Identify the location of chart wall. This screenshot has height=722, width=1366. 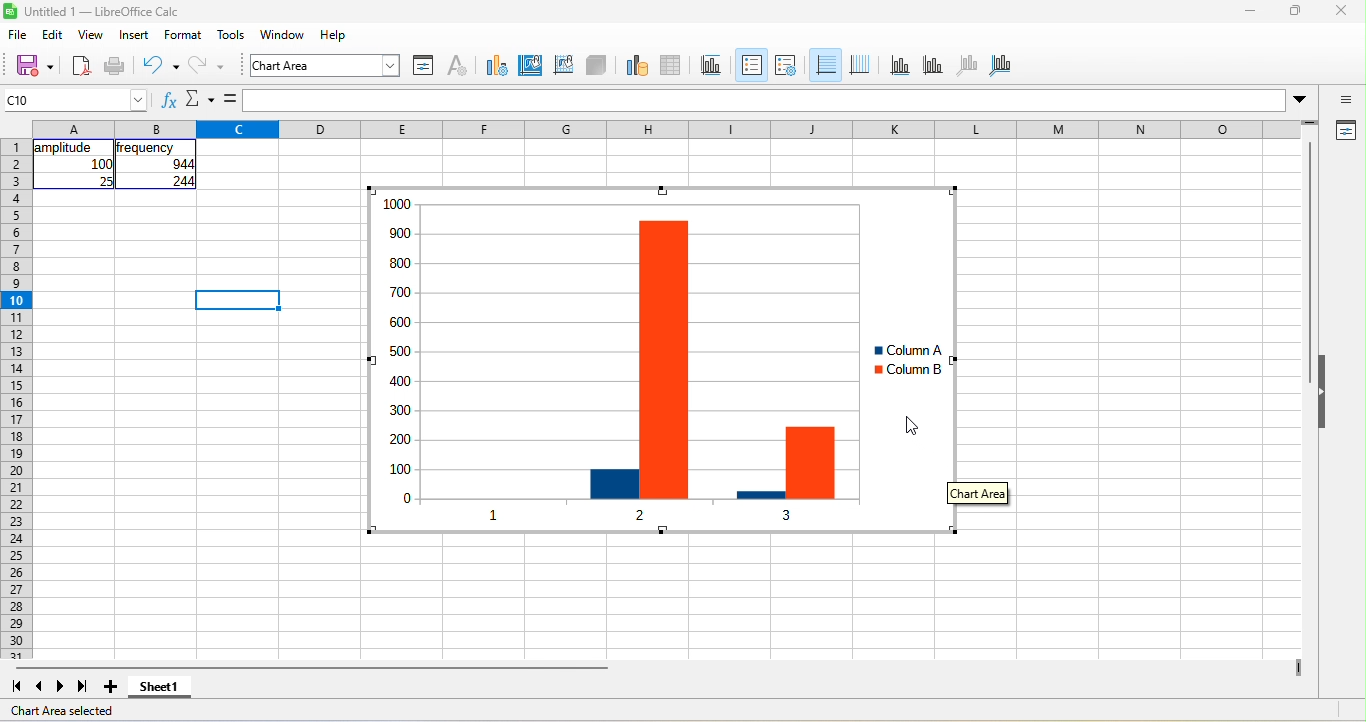
(563, 66).